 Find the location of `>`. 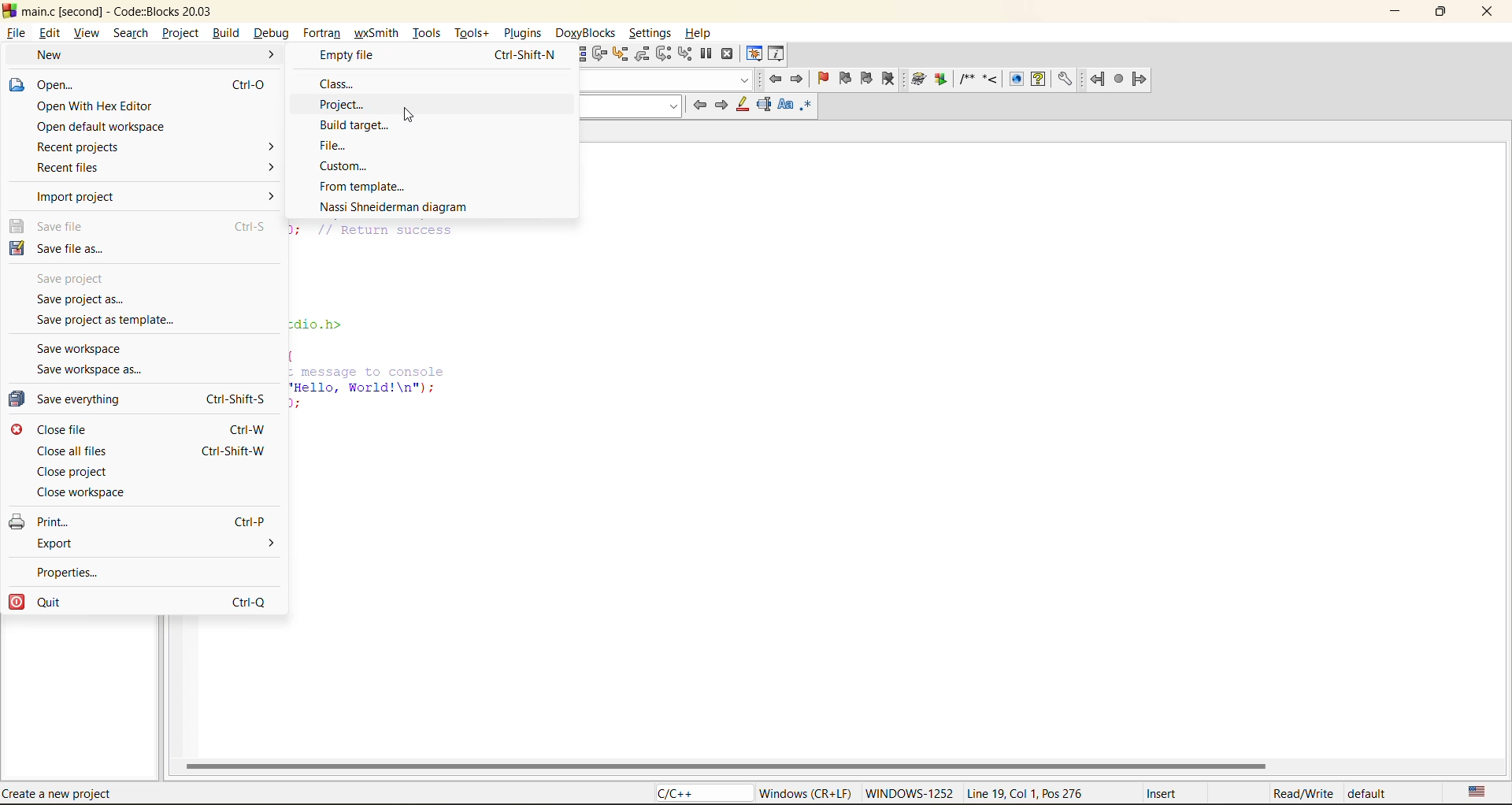

> is located at coordinates (272, 195).